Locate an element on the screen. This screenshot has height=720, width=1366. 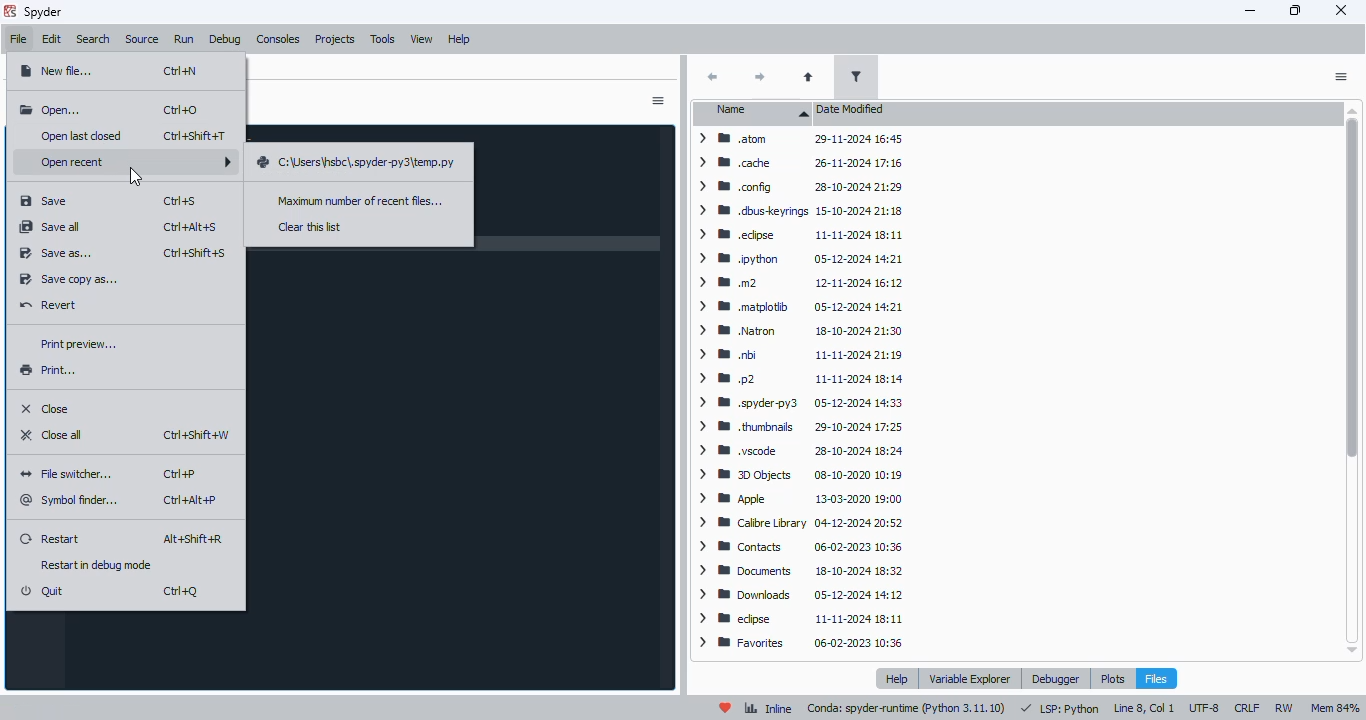
tools is located at coordinates (382, 39).